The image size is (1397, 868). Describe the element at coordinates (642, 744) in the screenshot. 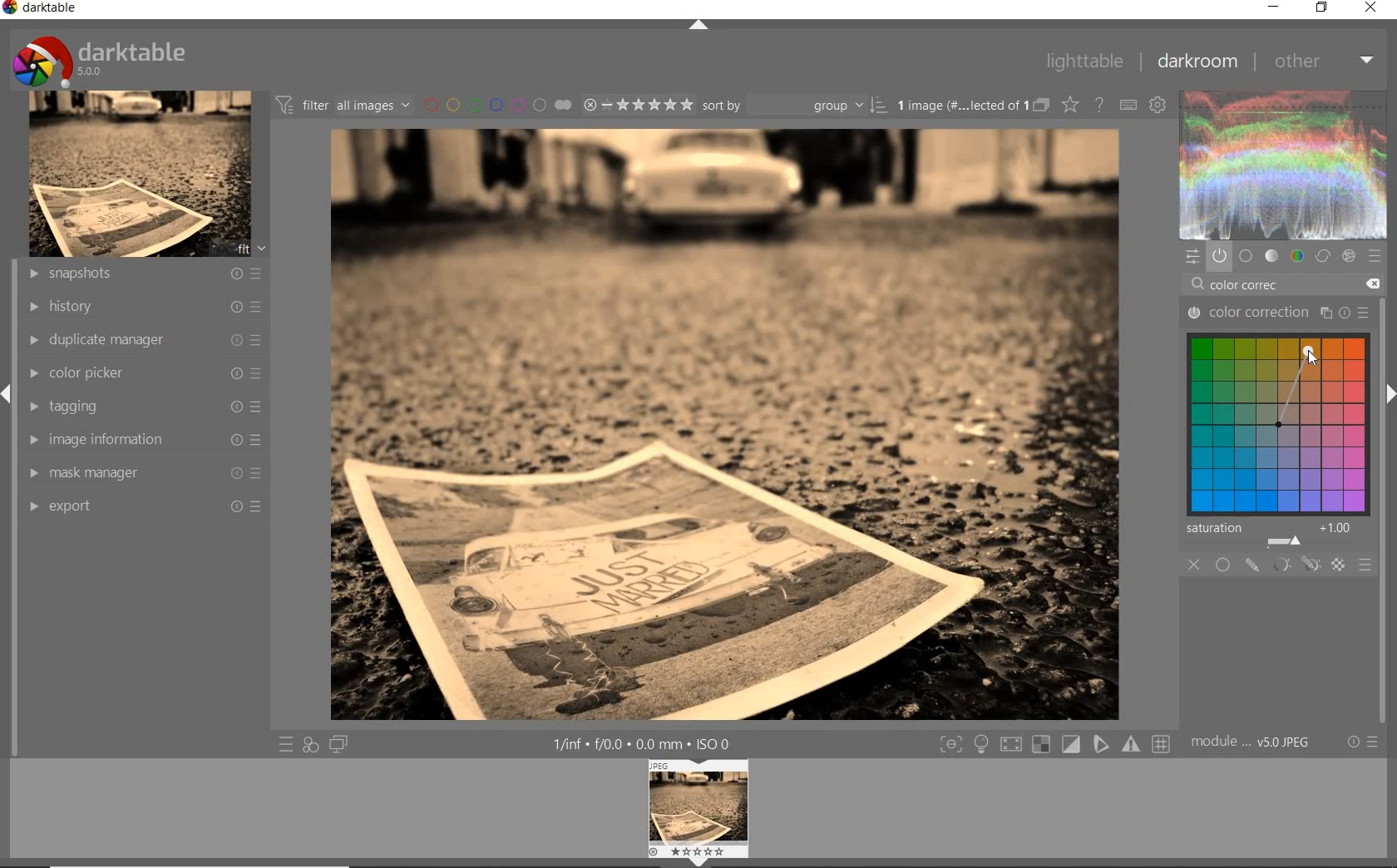

I see `other interface detail` at that location.